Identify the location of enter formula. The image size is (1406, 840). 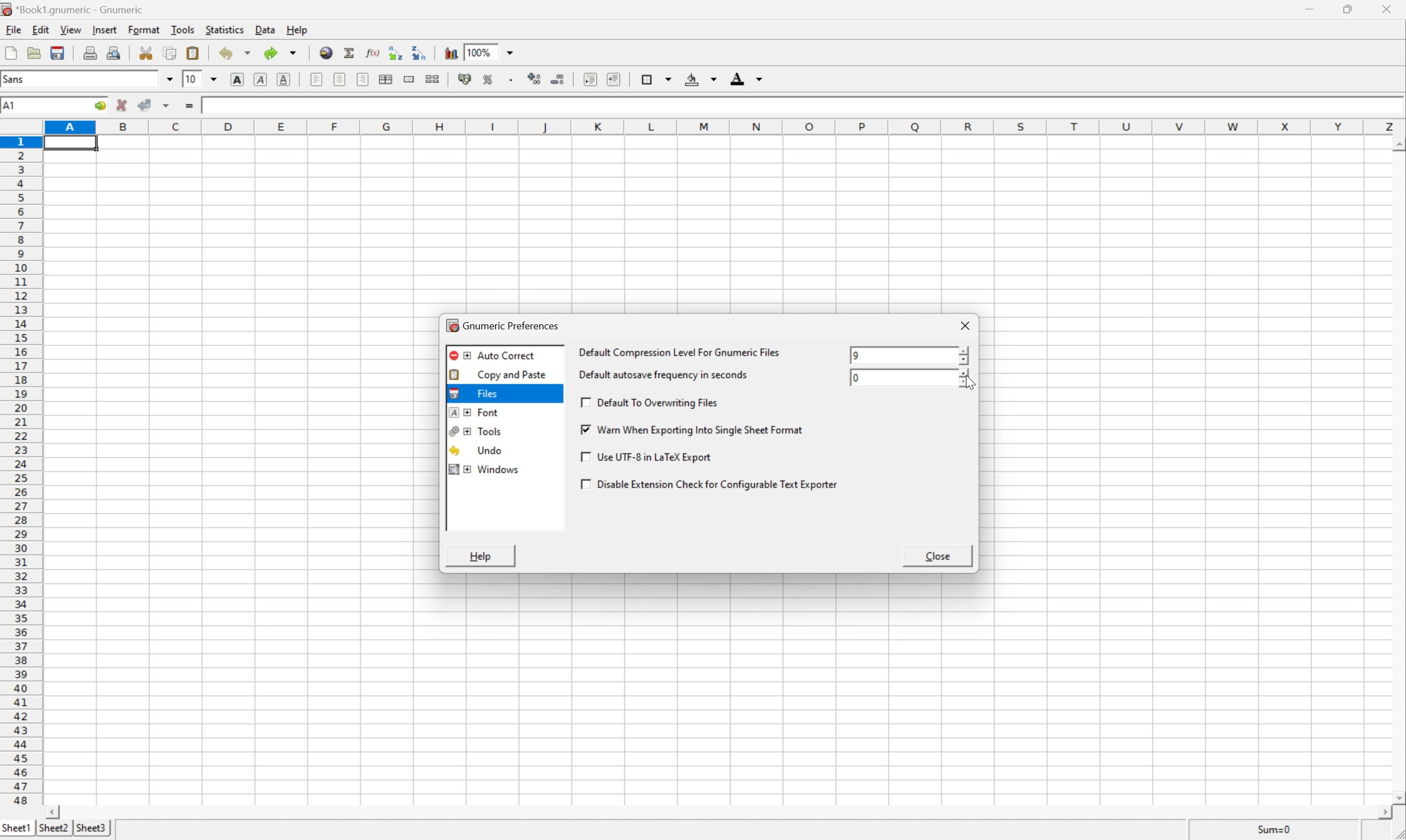
(194, 104).